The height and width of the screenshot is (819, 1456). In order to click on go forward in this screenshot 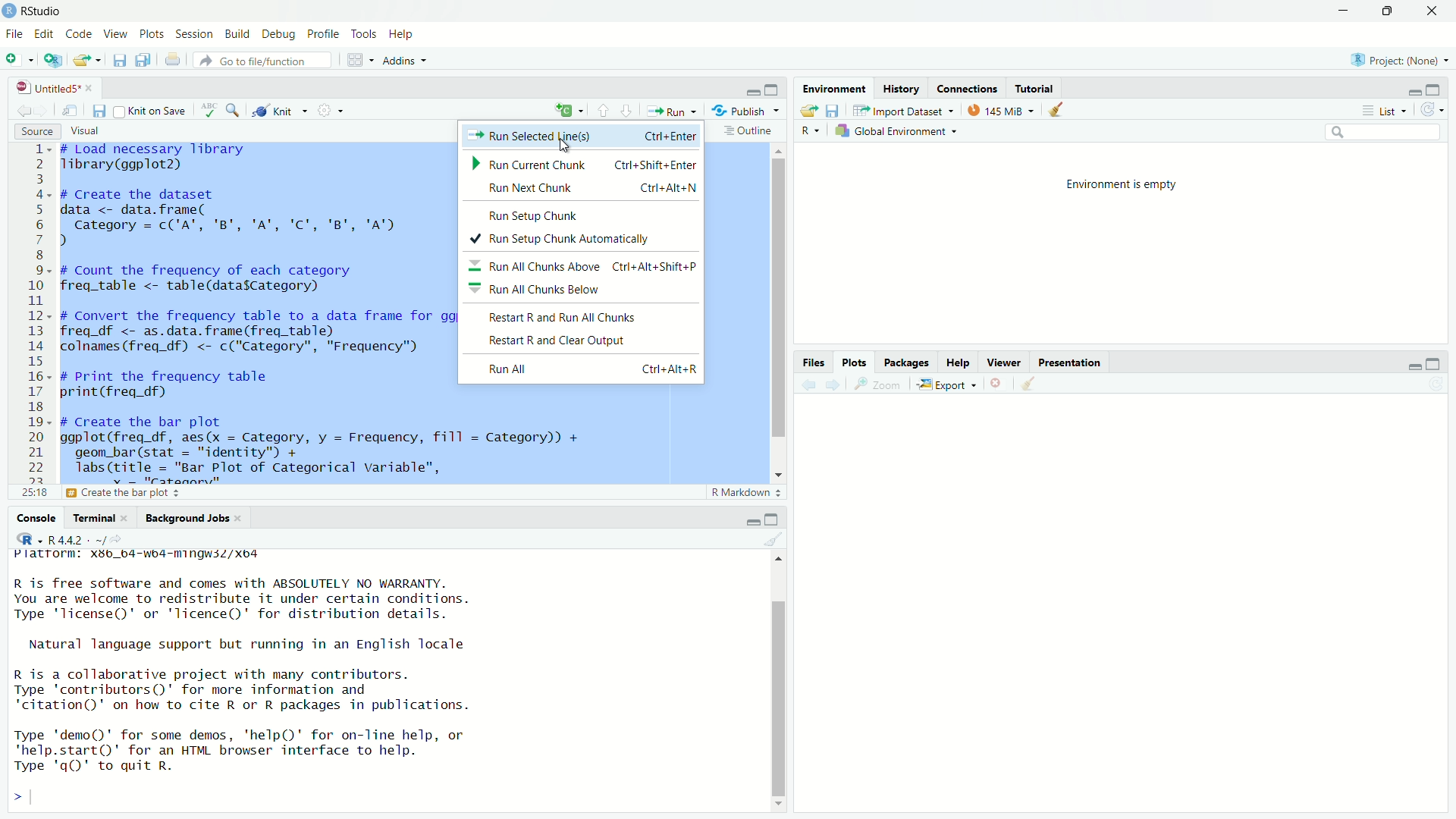, I will do `click(44, 111)`.